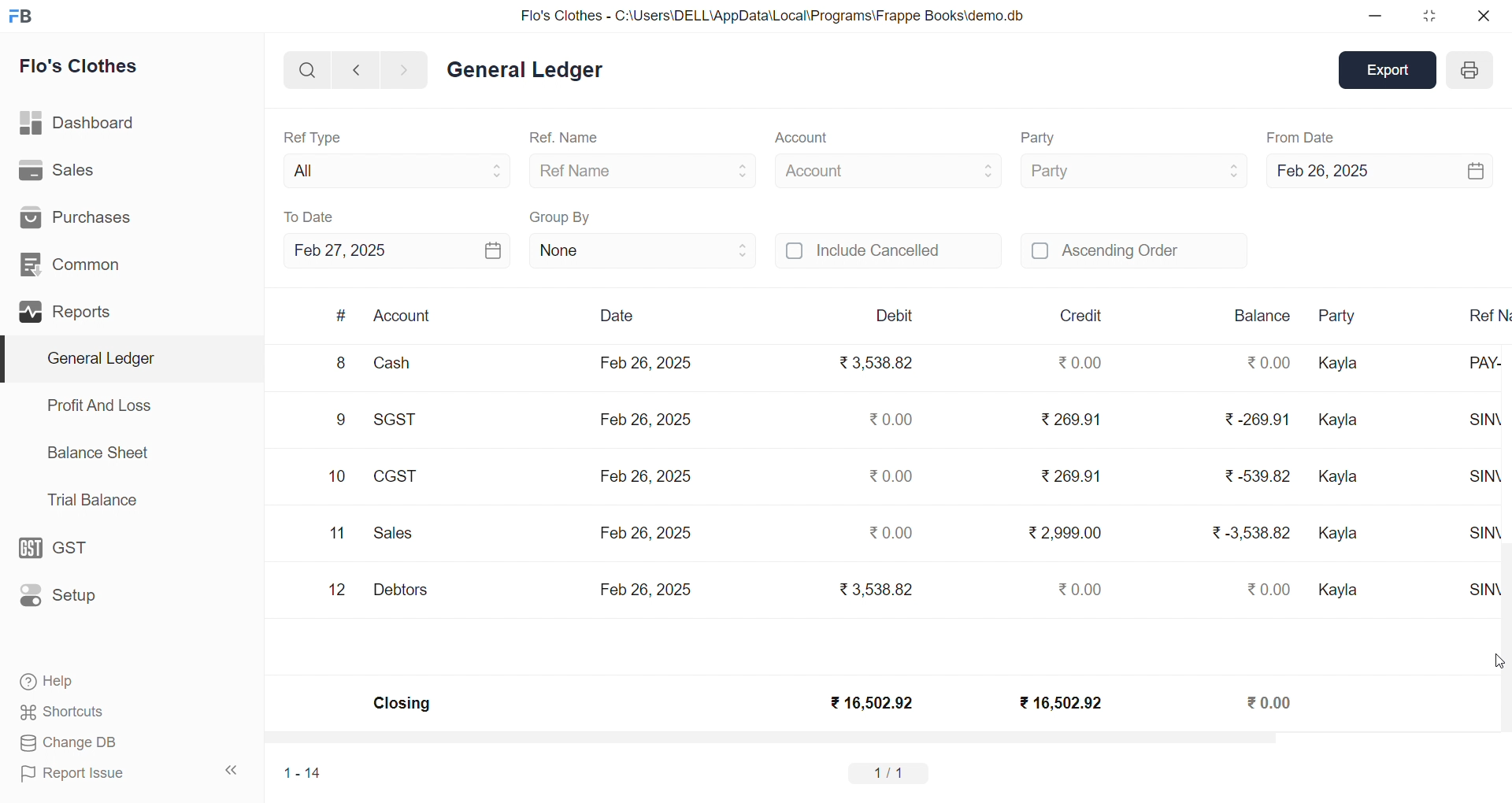 Image resolution: width=1512 pixels, height=803 pixels. Describe the element at coordinates (62, 596) in the screenshot. I see `Setup` at that location.